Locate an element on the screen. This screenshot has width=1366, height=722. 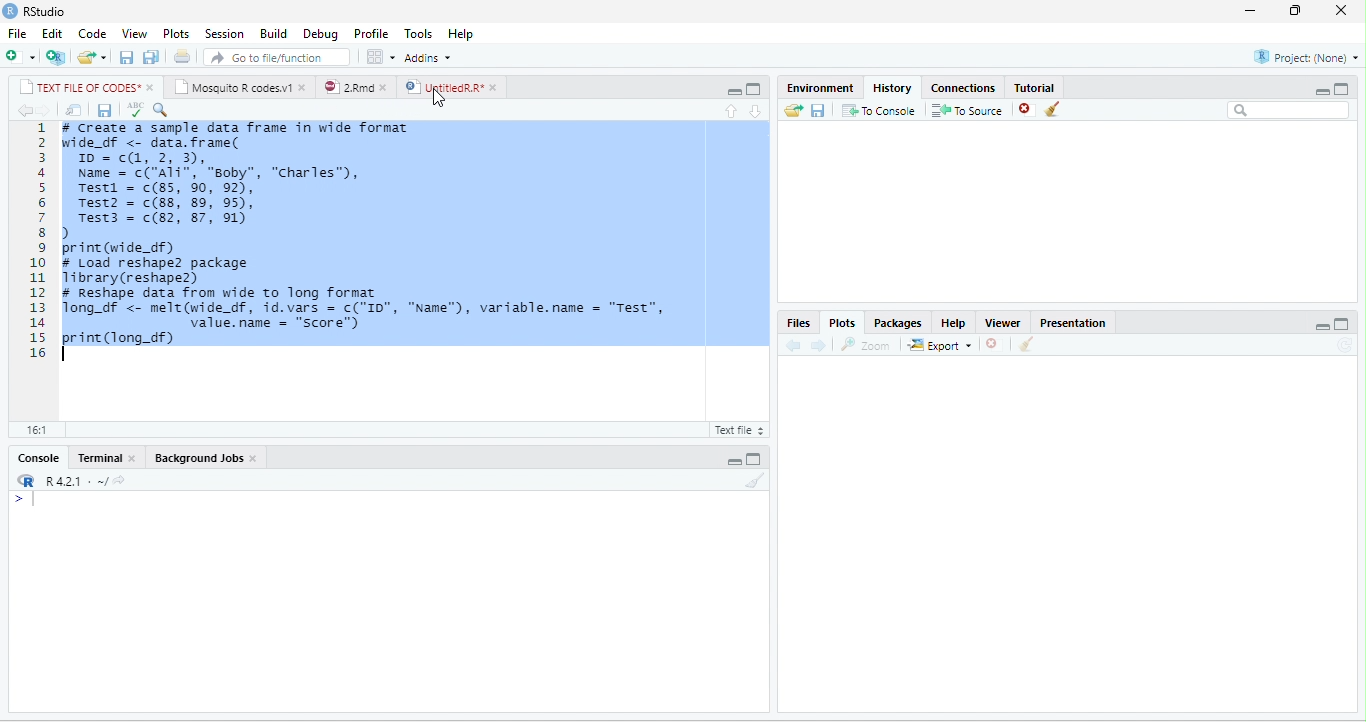
RStudio is located at coordinates (46, 12).